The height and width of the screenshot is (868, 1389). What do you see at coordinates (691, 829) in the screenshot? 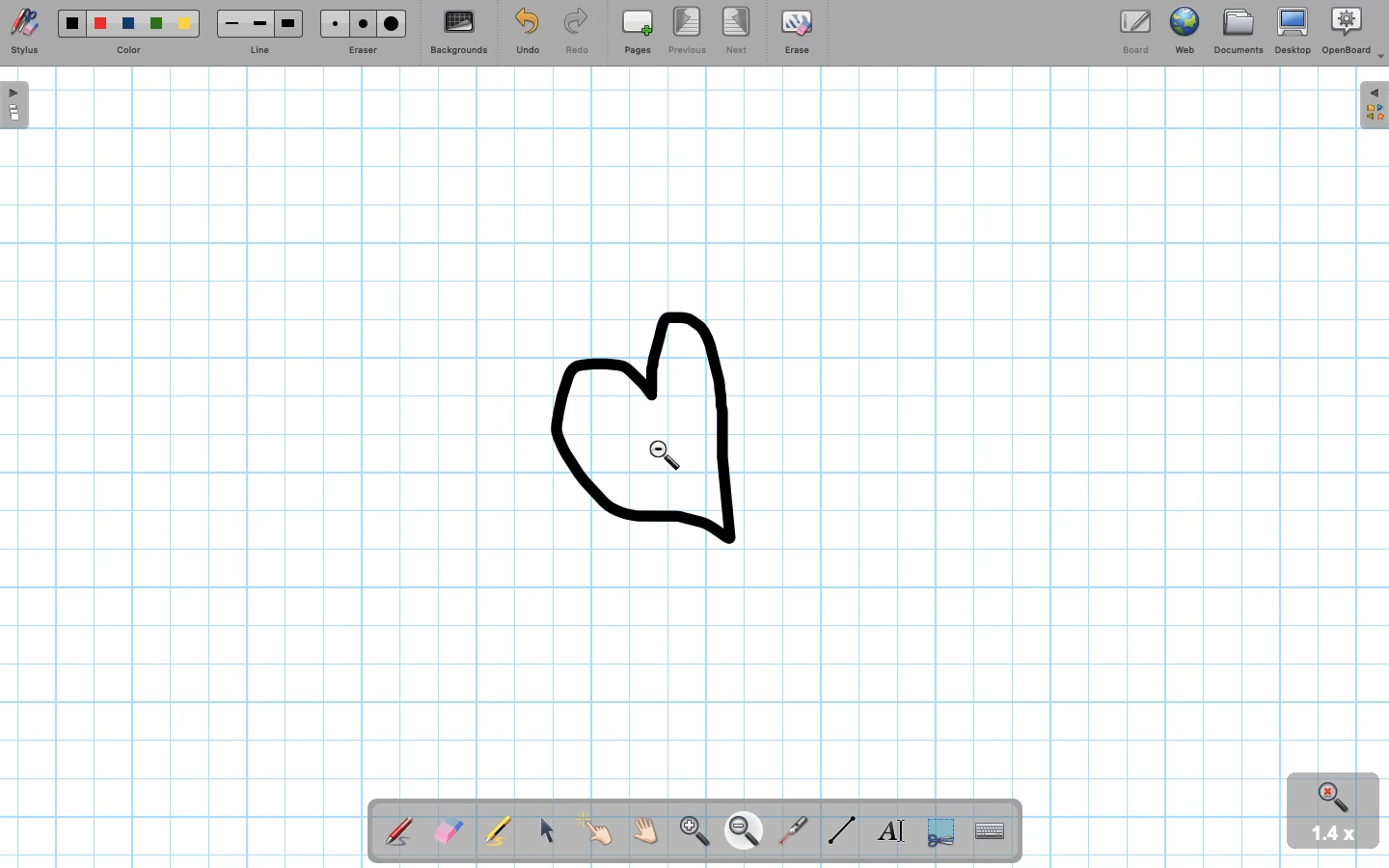
I see `Zoom in` at bounding box center [691, 829].